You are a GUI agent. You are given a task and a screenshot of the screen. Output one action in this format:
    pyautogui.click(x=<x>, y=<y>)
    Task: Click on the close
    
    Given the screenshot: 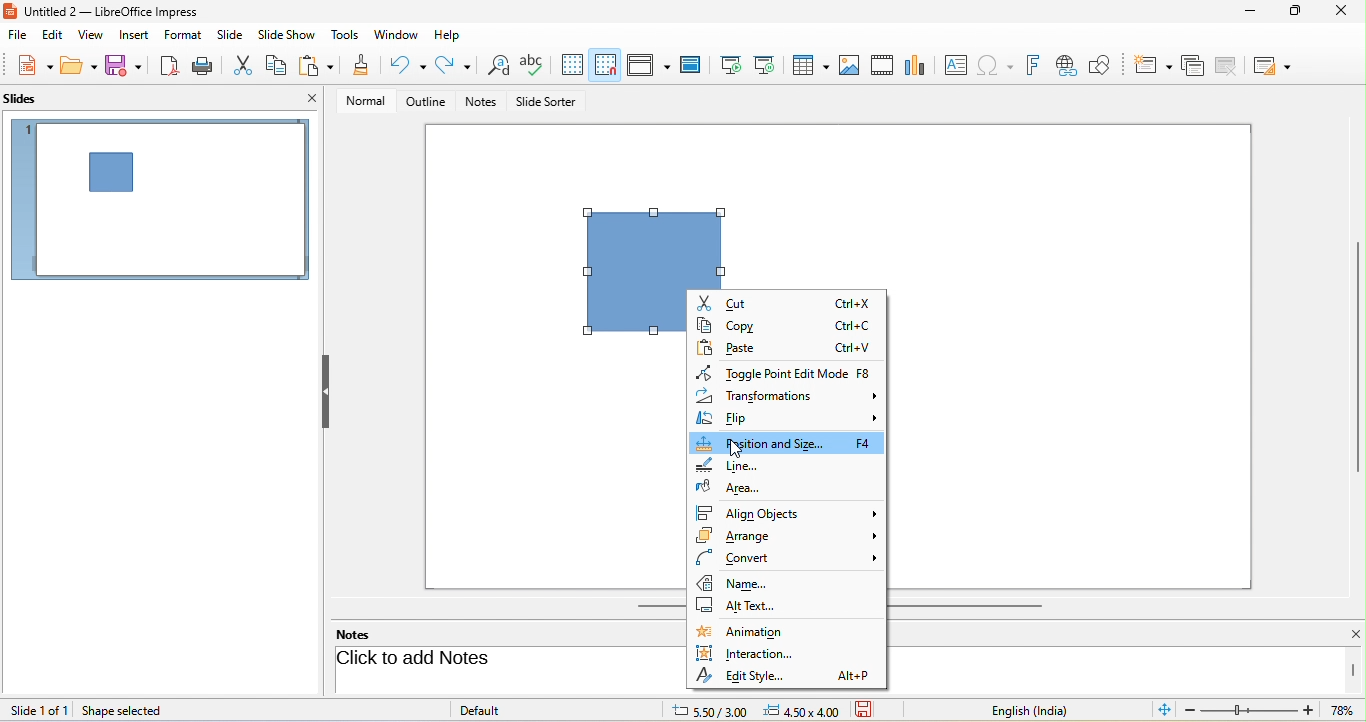 What is the action you would take?
    pyautogui.click(x=1339, y=12)
    